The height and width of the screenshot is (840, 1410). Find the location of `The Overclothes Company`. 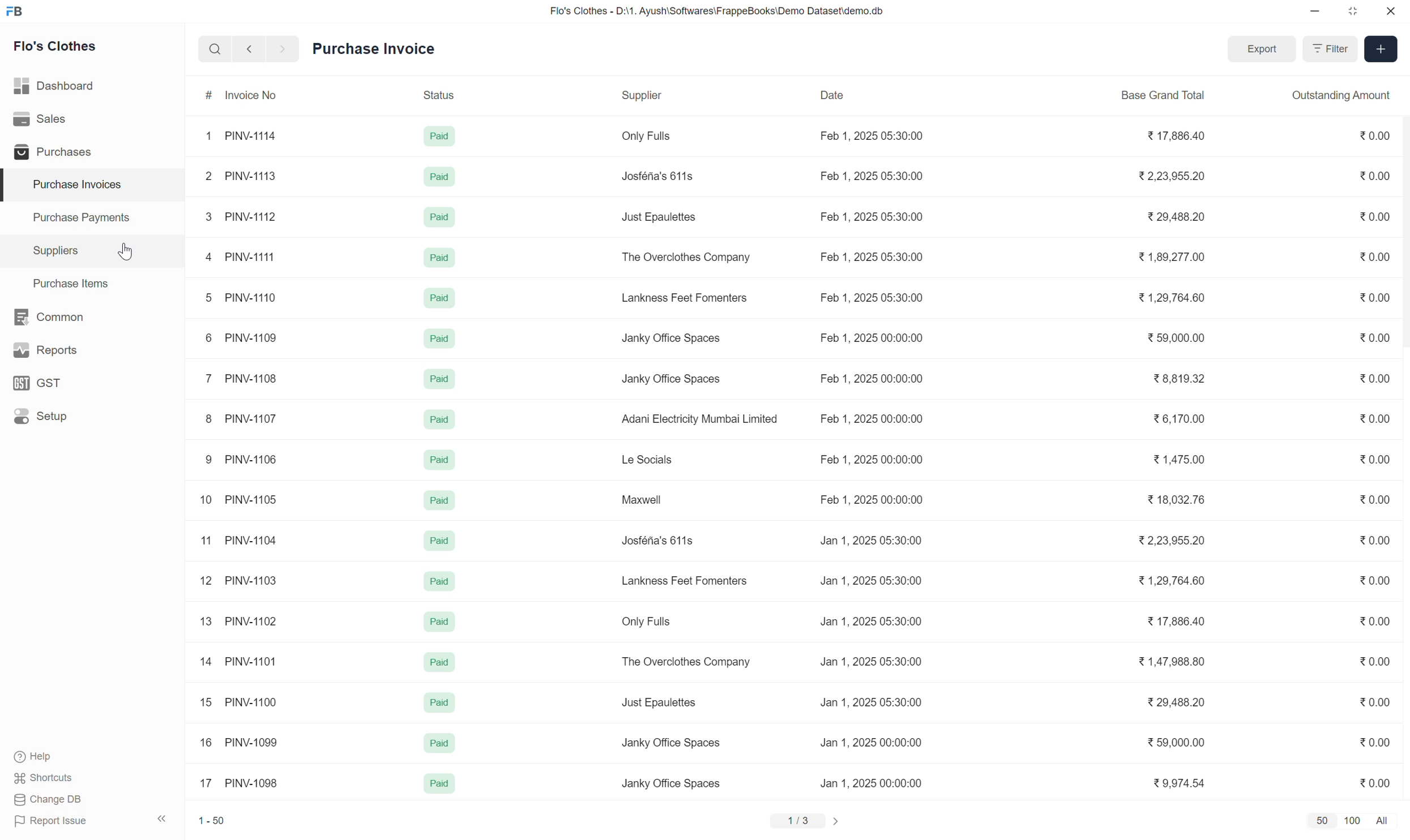

The Overclothes Company is located at coordinates (685, 662).